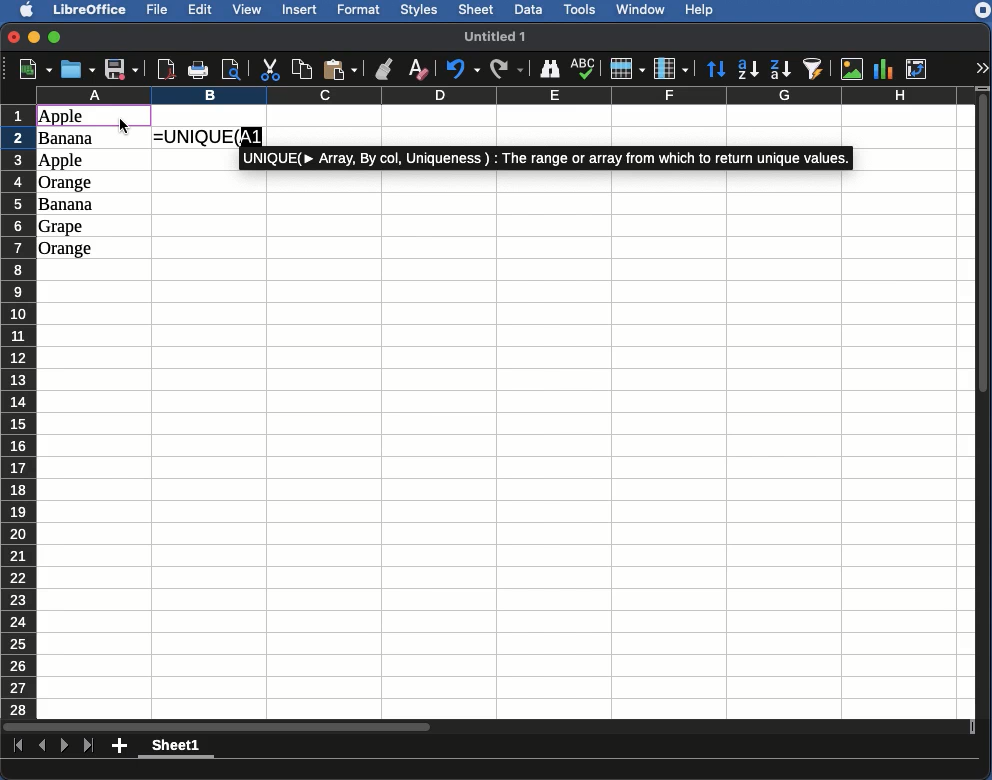 This screenshot has width=992, height=780. Describe the element at coordinates (750, 69) in the screenshot. I see `Ascending` at that location.